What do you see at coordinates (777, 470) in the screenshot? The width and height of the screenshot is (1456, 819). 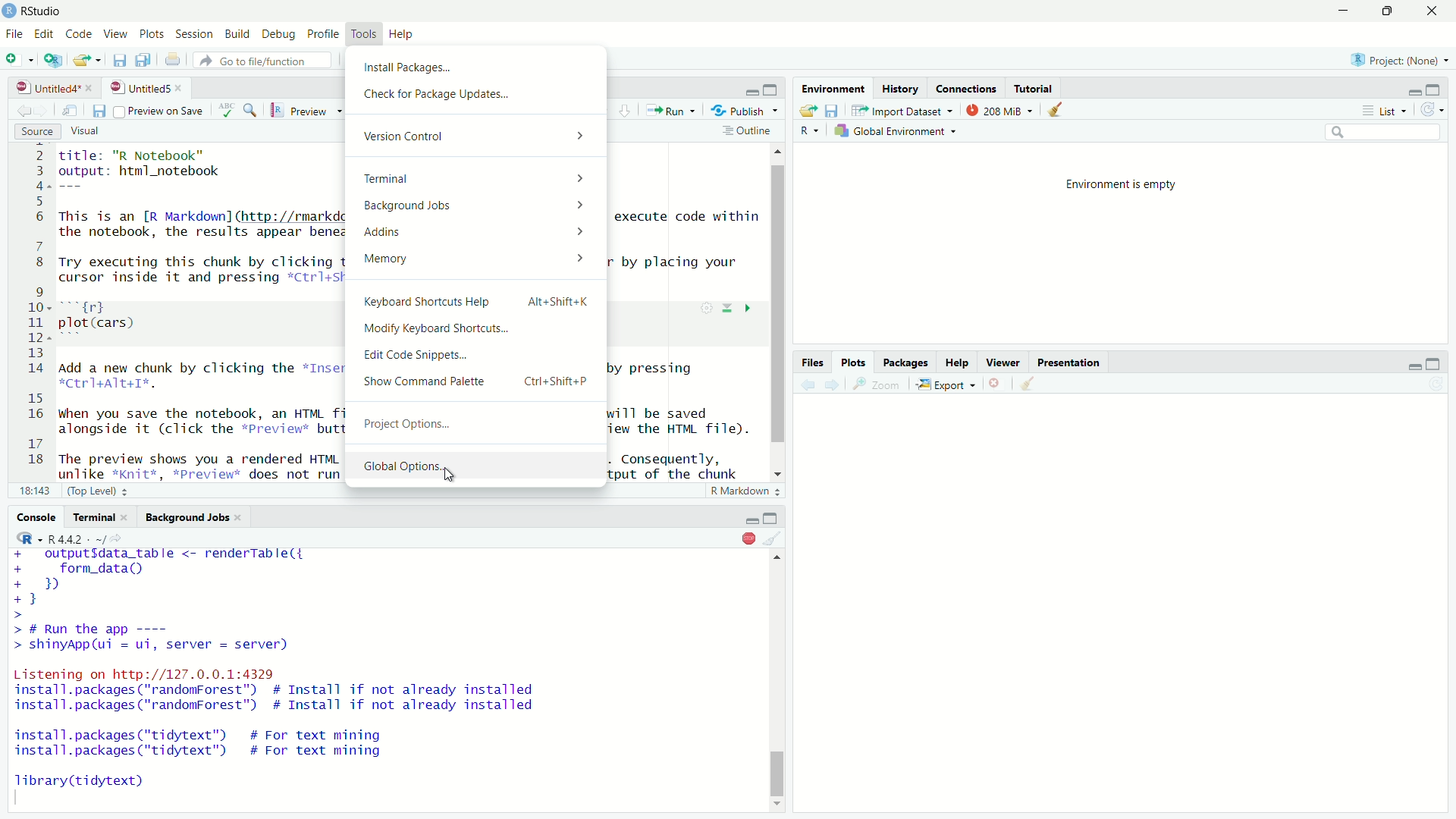 I see `scrollbar down` at bounding box center [777, 470].